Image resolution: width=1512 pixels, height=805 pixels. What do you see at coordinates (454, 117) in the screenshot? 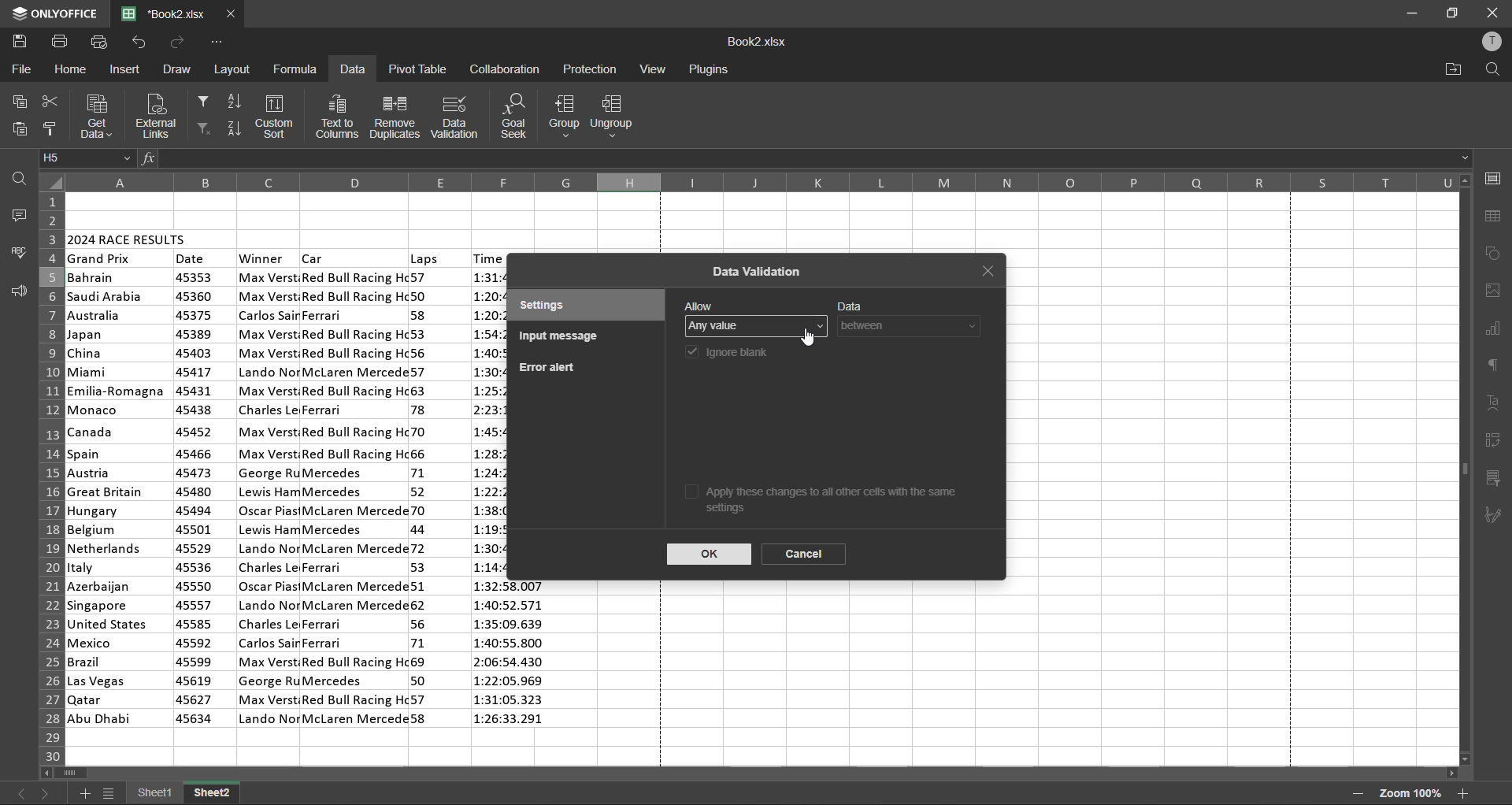
I see `data validation` at bounding box center [454, 117].